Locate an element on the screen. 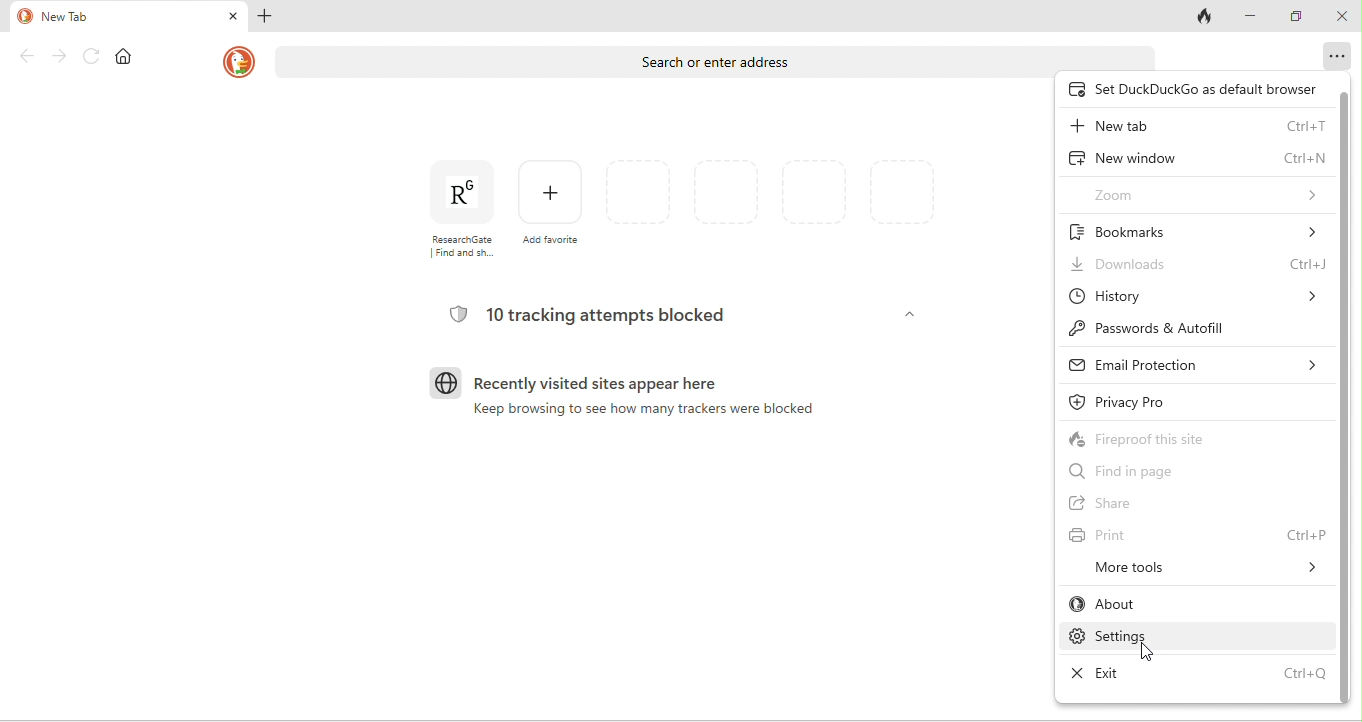  exit is located at coordinates (1199, 677).